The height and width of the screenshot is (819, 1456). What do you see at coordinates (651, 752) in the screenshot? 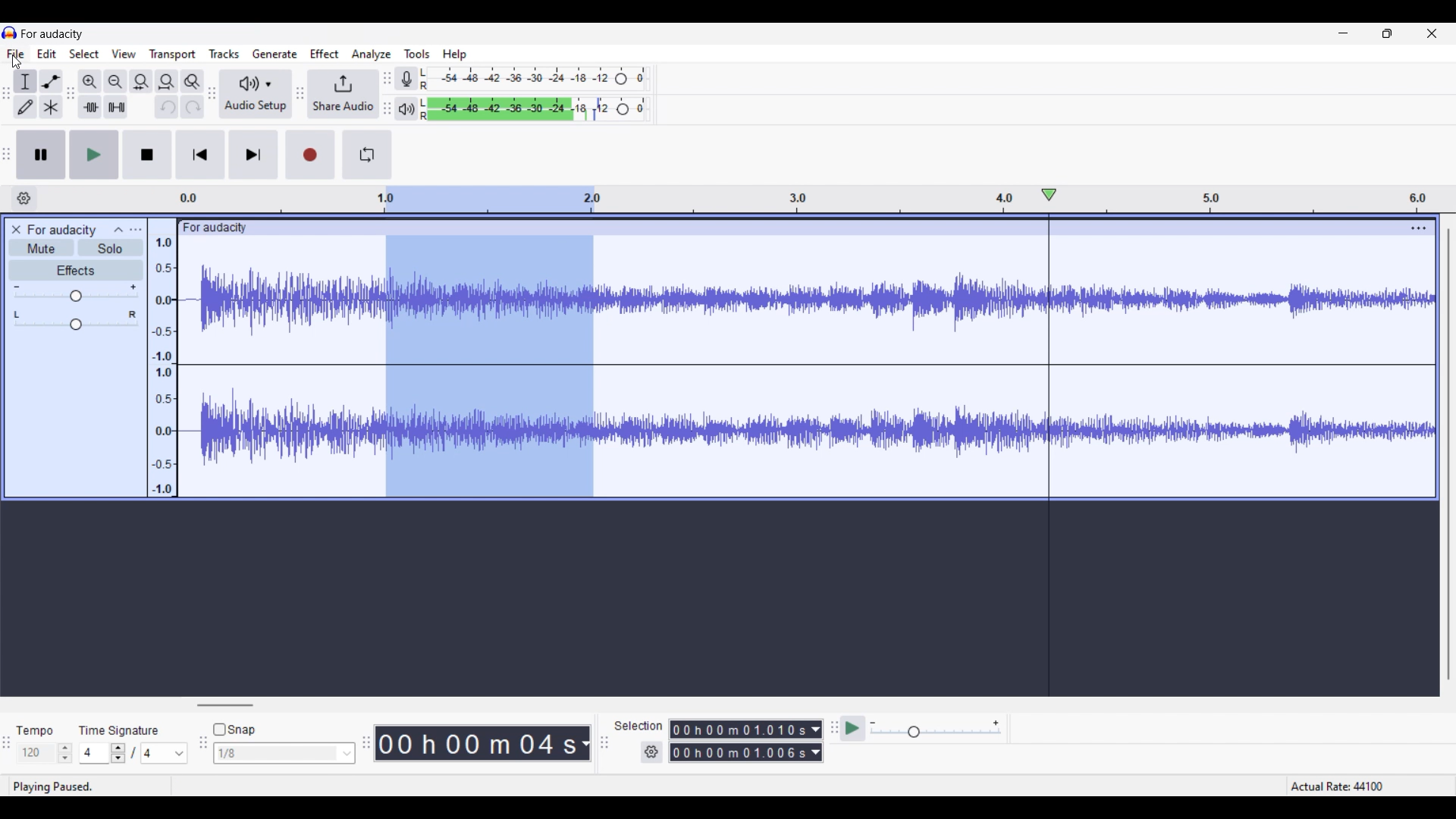
I see `Selection duration settings` at bounding box center [651, 752].